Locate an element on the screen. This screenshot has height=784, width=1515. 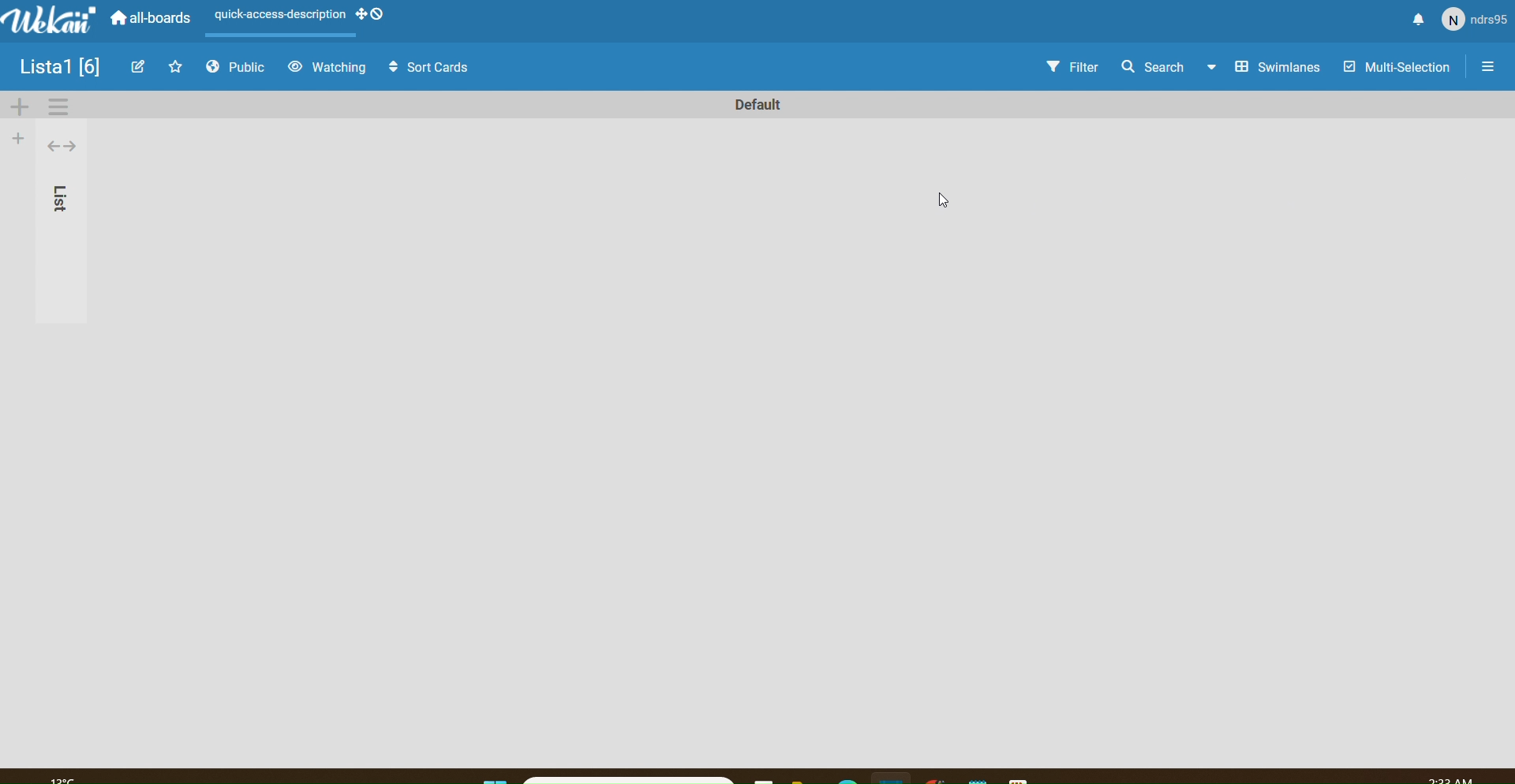
Edit is located at coordinates (143, 66).